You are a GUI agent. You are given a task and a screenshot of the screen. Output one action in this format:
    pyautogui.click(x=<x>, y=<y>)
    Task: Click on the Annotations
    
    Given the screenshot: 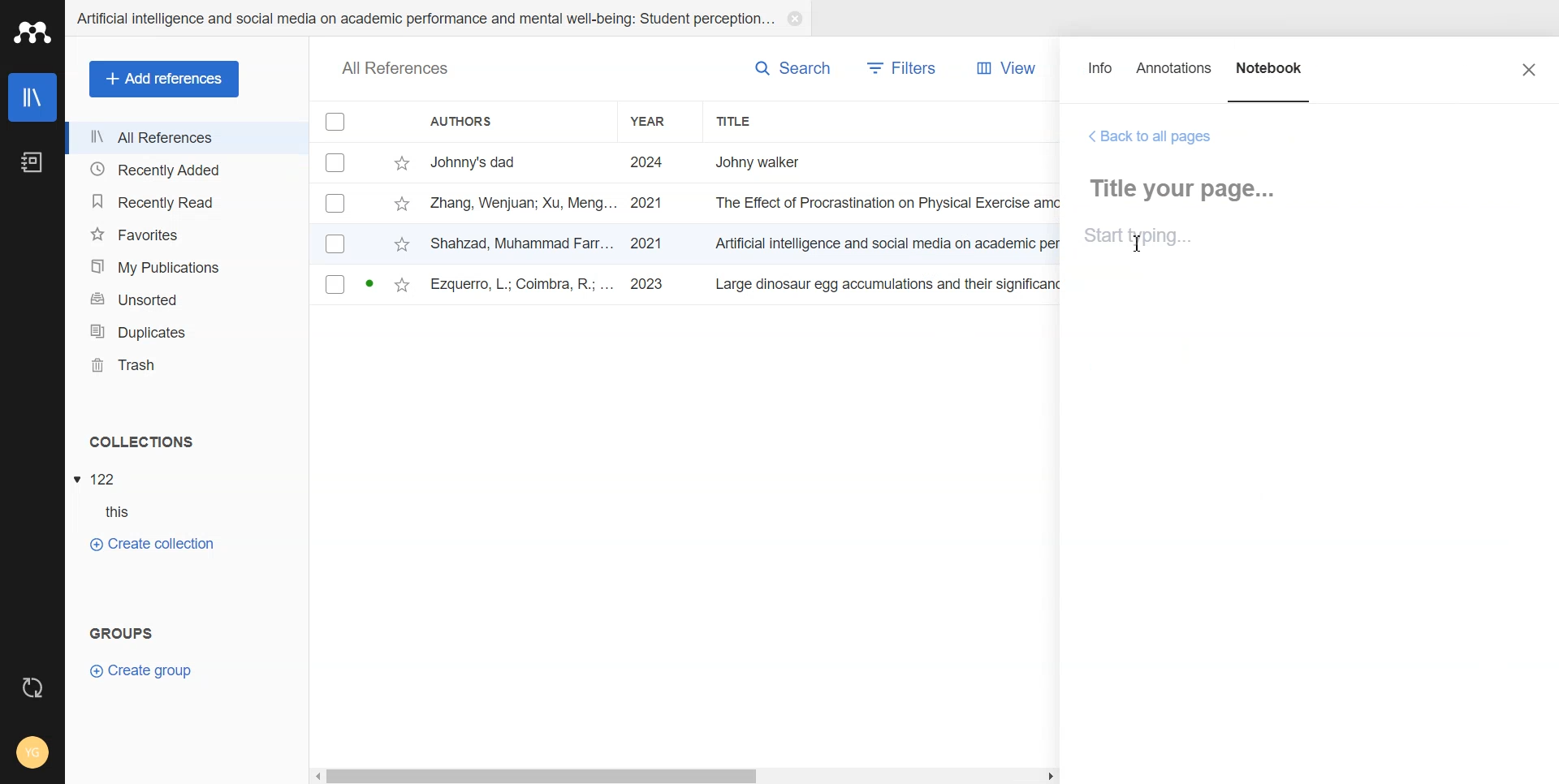 What is the action you would take?
    pyautogui.click(x=1175, y=75)
    